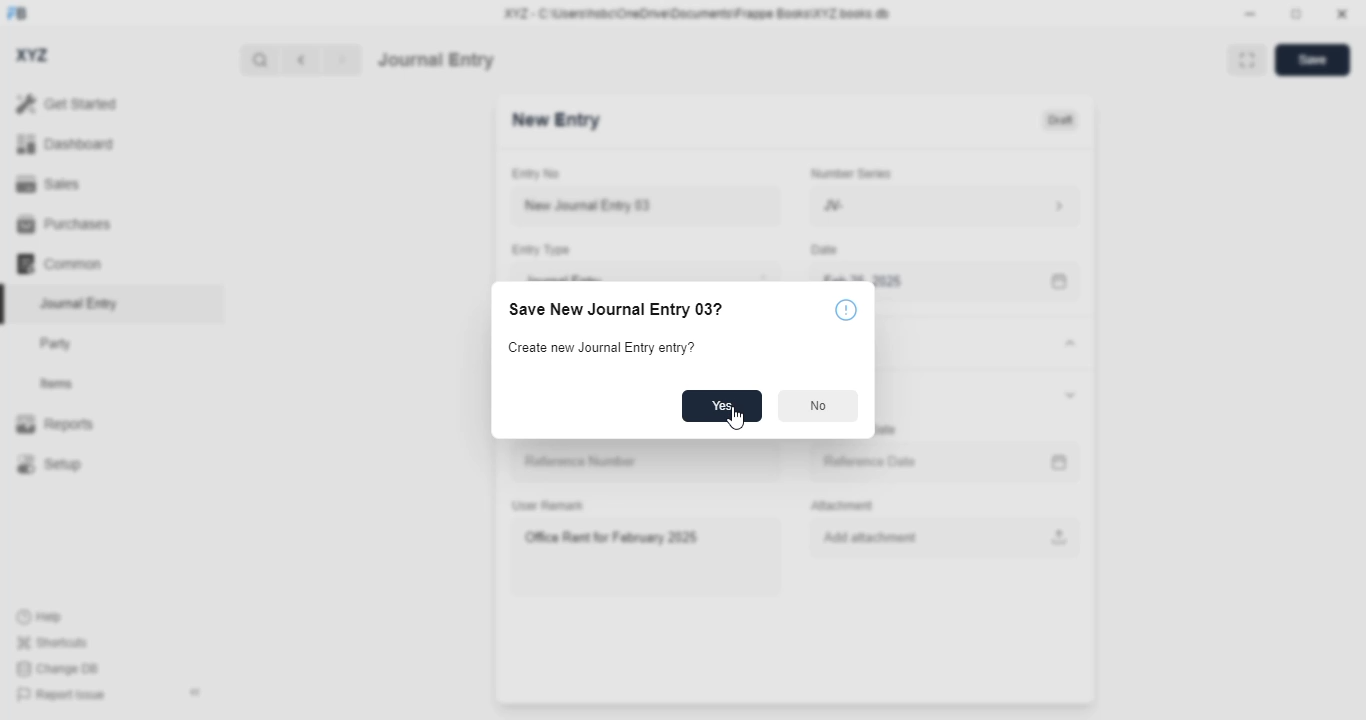  What do you see at coordinates (55, 423) in the screenshot?
I see `reports` at bounding box center [55, 423].